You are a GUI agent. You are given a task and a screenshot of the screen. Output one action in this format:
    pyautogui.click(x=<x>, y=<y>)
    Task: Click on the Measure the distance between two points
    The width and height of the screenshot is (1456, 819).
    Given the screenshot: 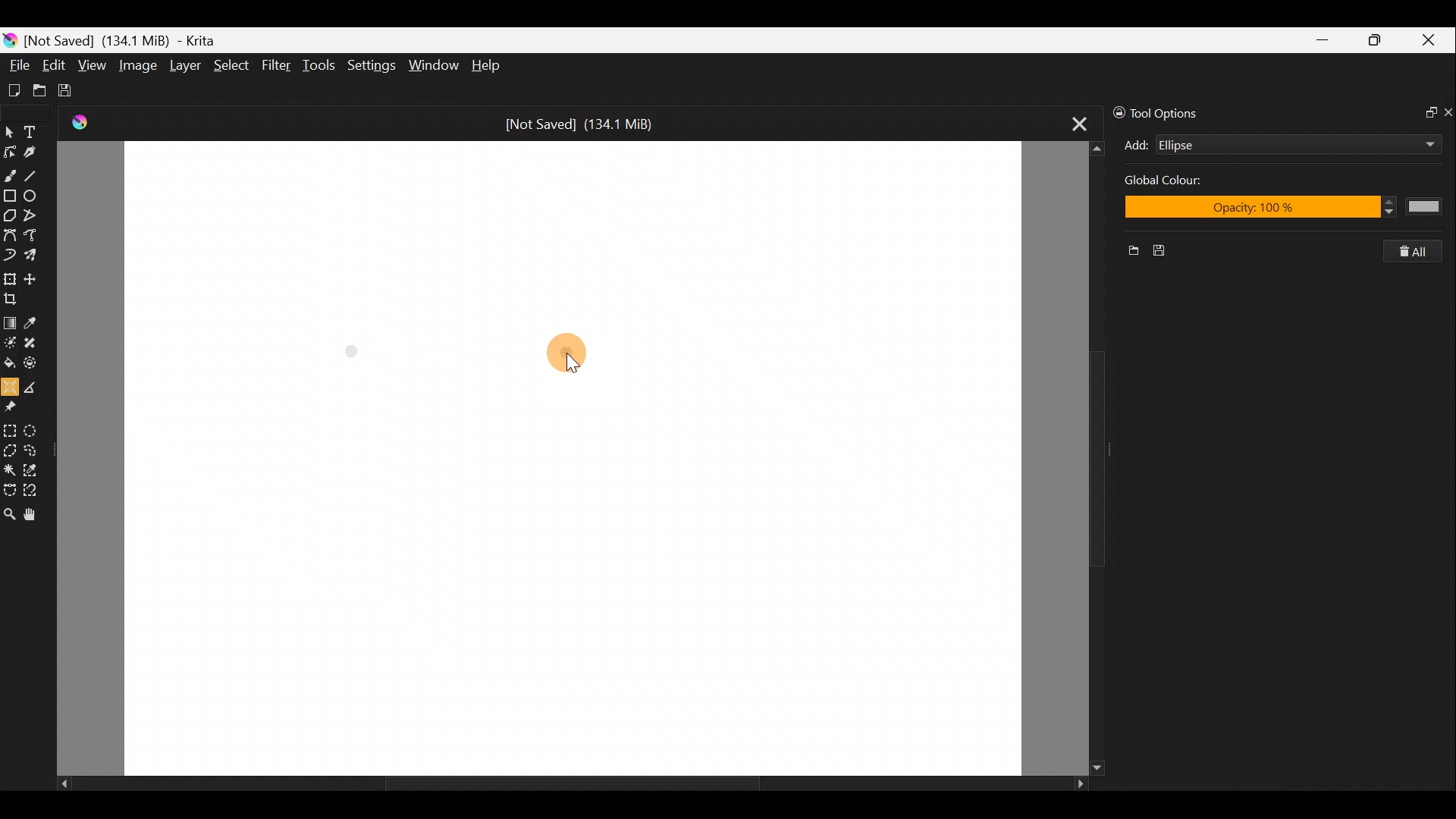 What is the action you would take?
    pyautogui.click(x=36, y=386)
    